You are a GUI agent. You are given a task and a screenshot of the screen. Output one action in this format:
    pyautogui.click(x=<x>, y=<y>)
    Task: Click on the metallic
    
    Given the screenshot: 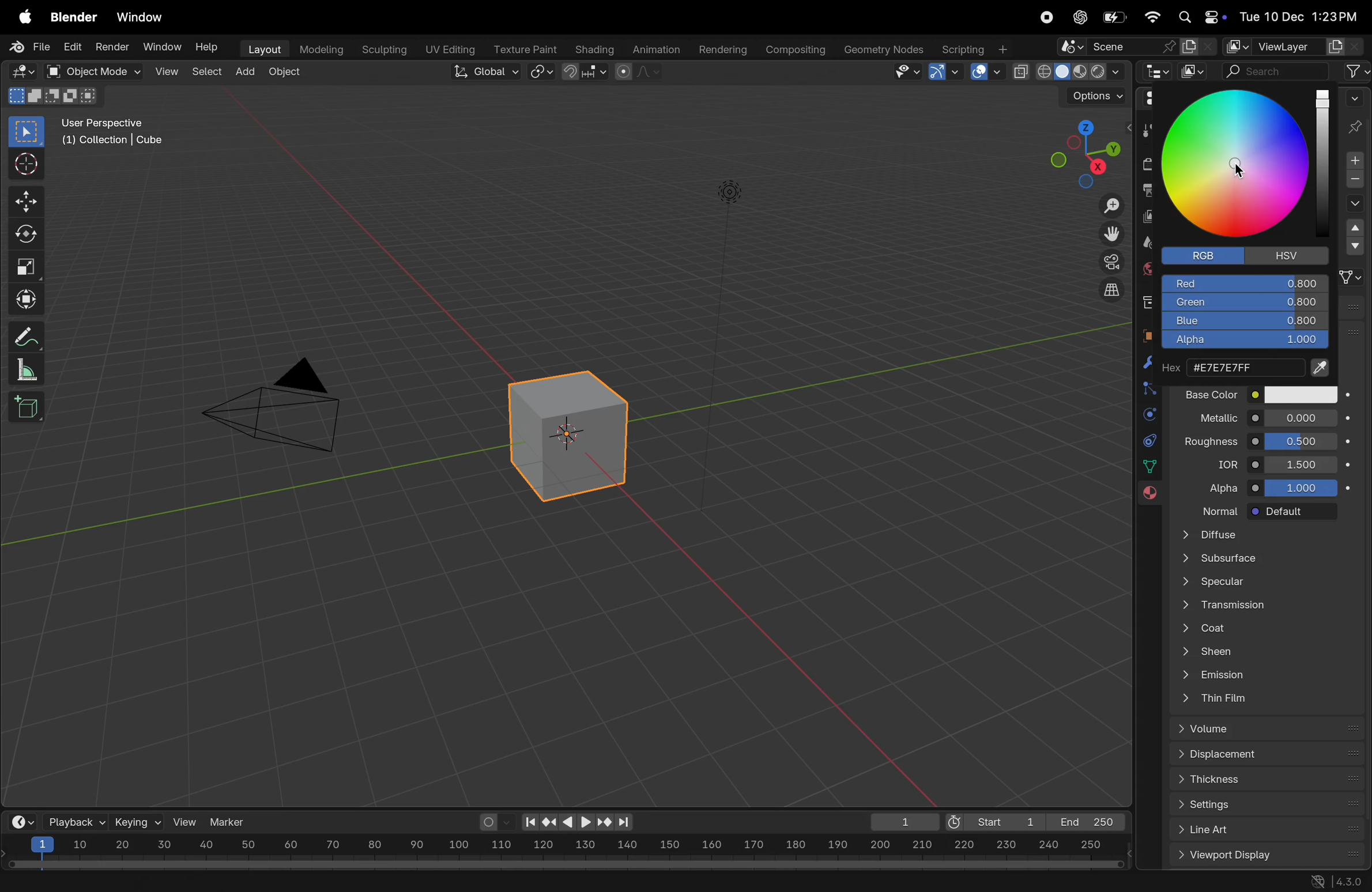 What is the action you would take?
    pyautogui.click(x=1208, y=416)
    